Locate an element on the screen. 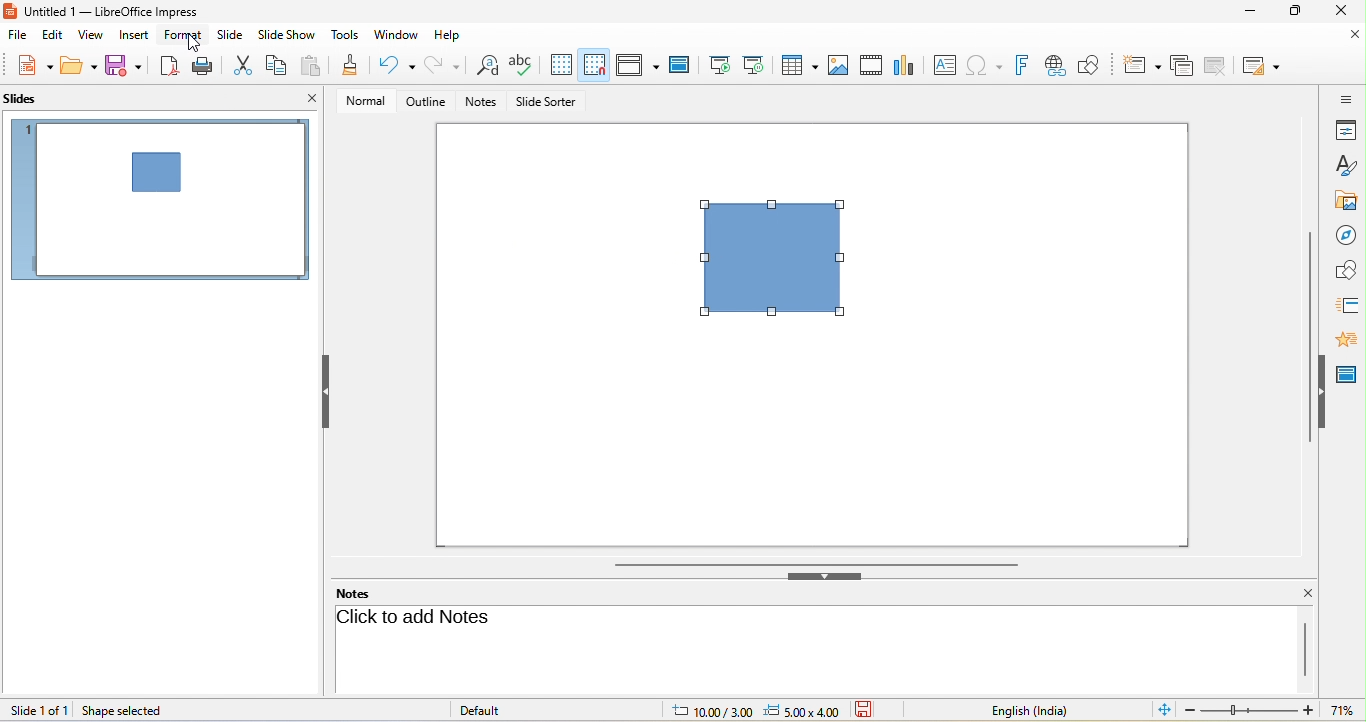  zoom is located at coordinates (1273, 710).